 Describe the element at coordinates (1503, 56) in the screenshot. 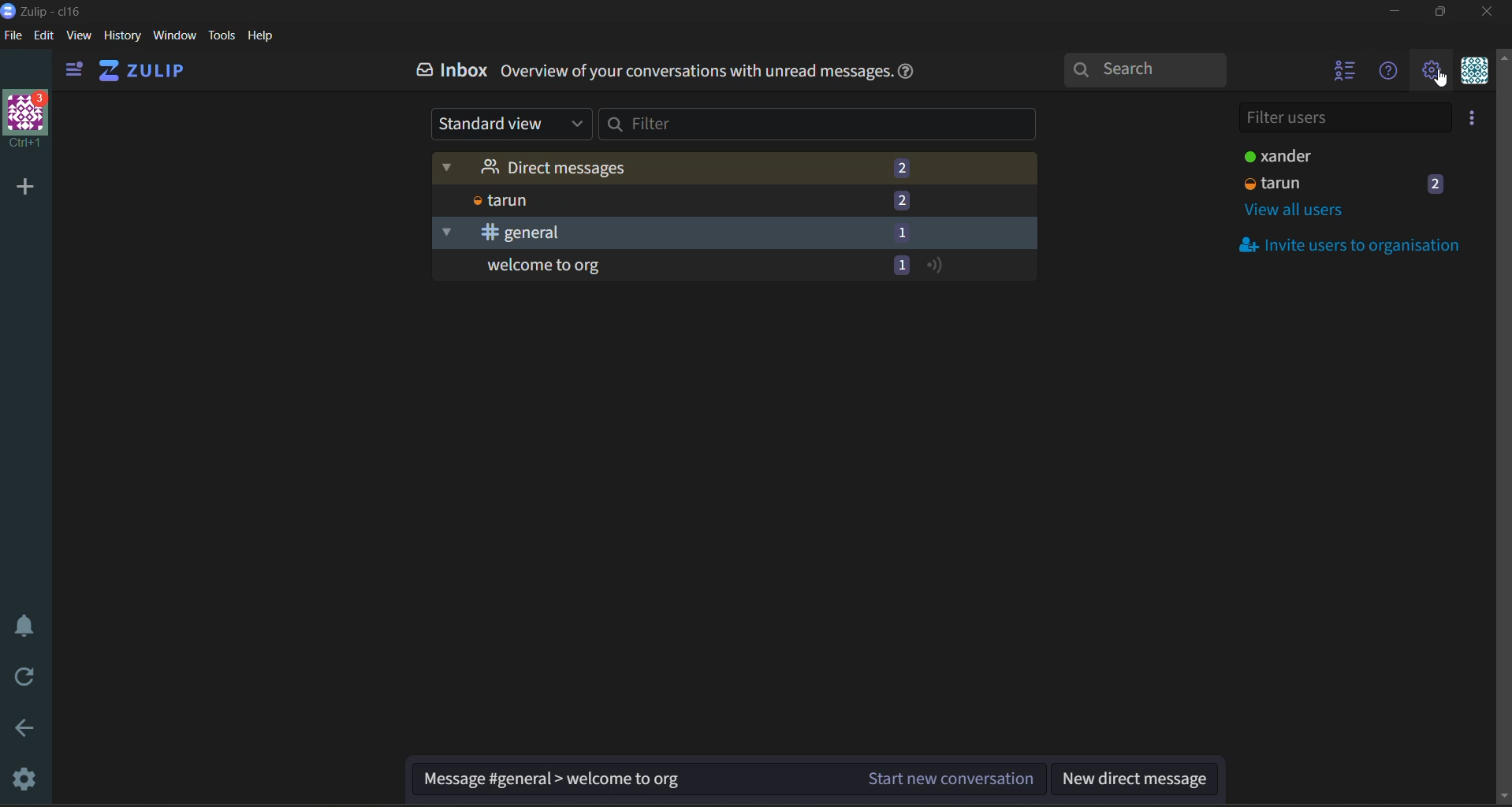

I see `scroll up` at that location.